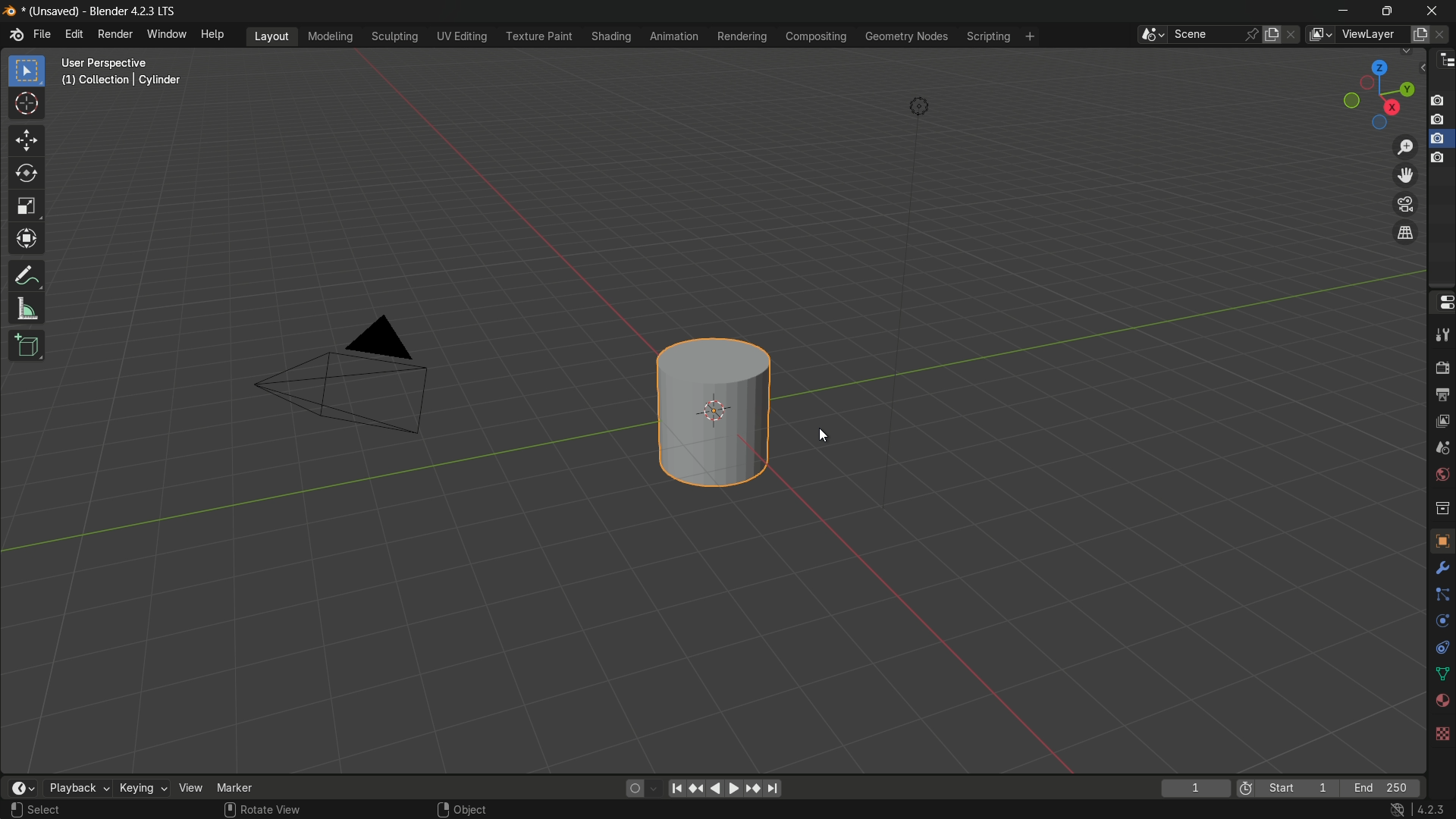 This screenshot has height=819, width=1456. Describe the element at coordinates (329, 36) in the screenshot. I see `modeling` at that location.